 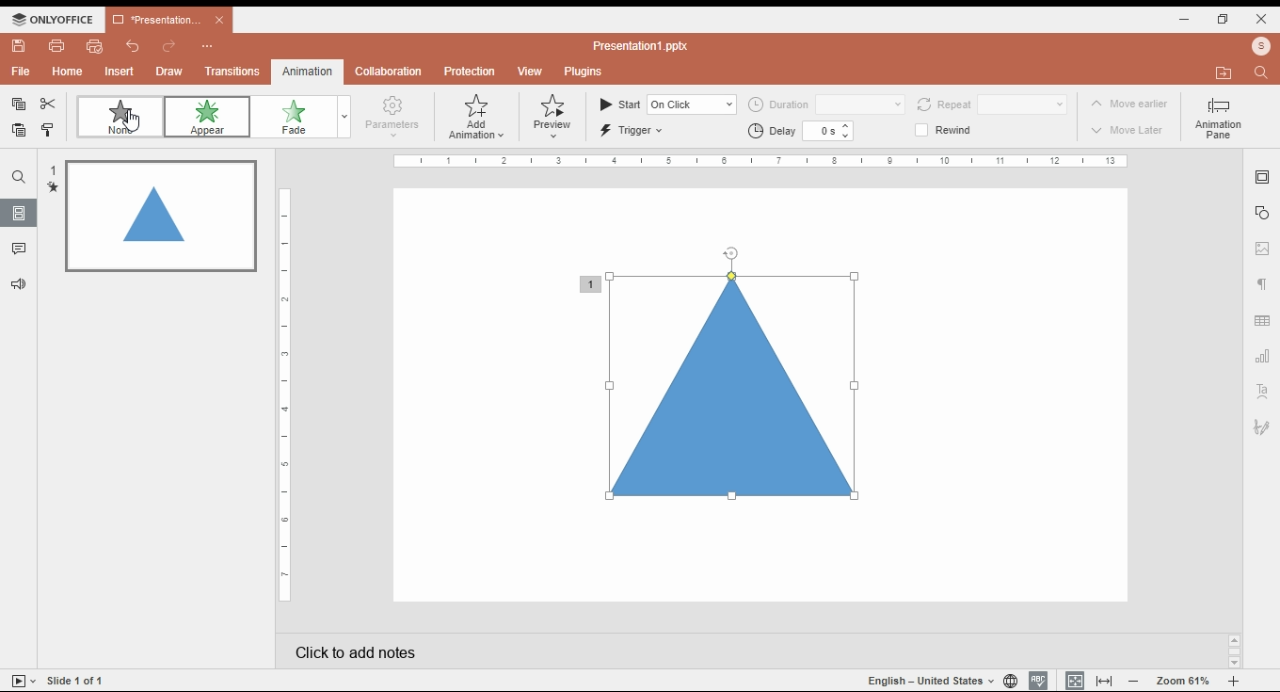 What do you see at coordinates (1225, 18) in the screenshot?
I see `restore` at bounding box center [1225, 18].